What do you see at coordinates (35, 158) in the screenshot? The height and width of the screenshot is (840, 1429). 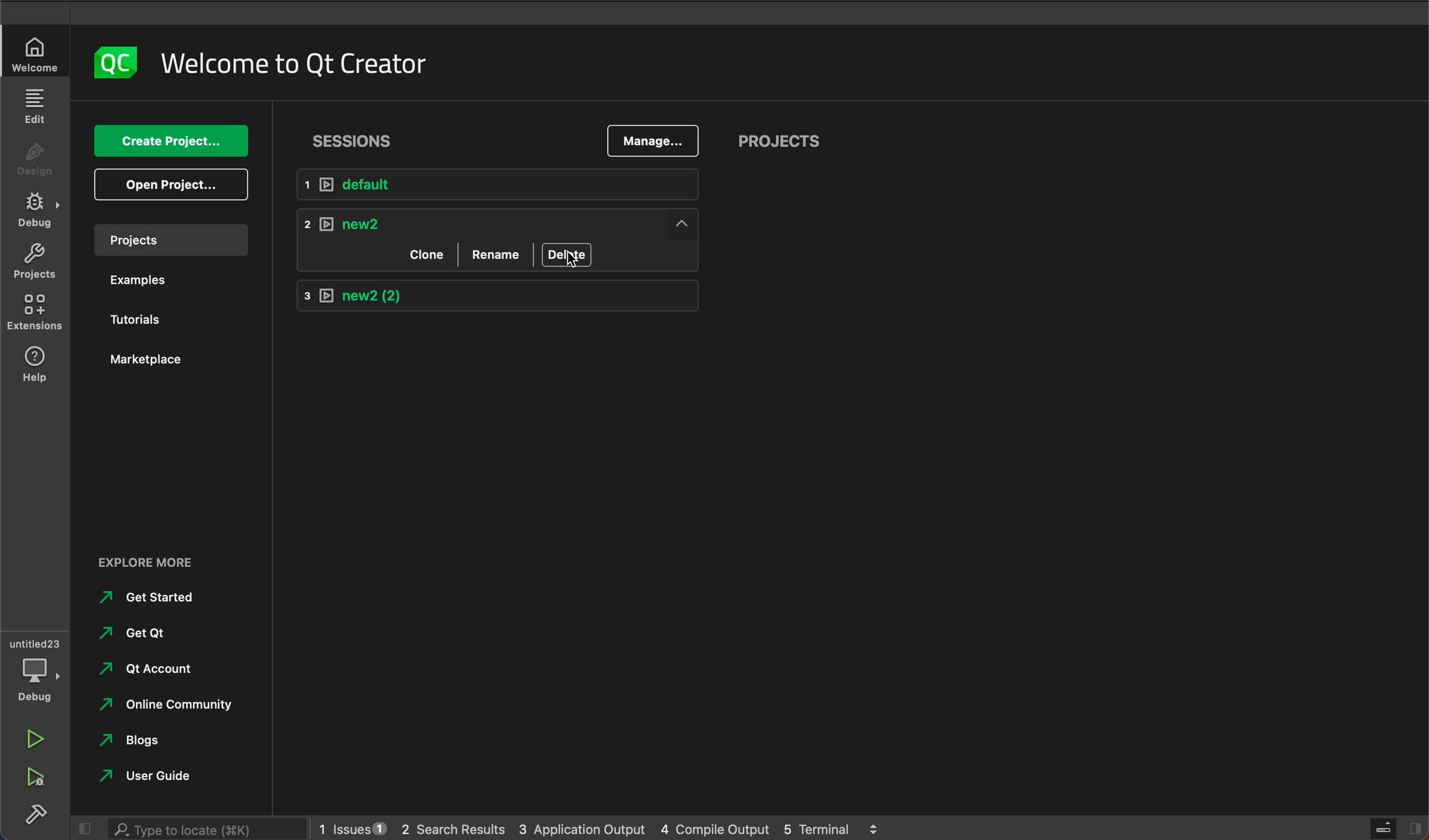 I see `design` at bounding box center [35, 158].